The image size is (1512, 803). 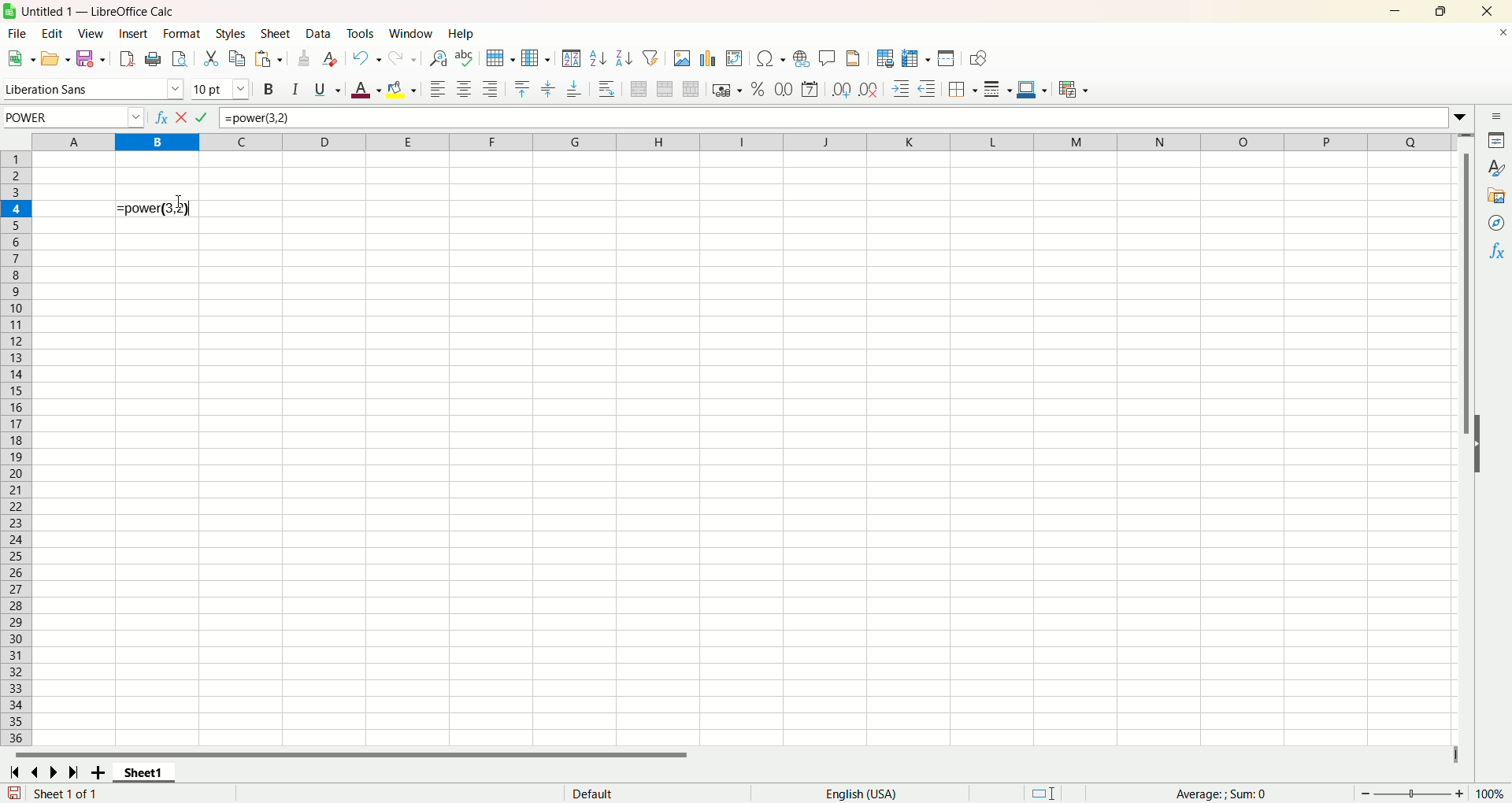 I want to click on draw function, so click(x=979, y=60).